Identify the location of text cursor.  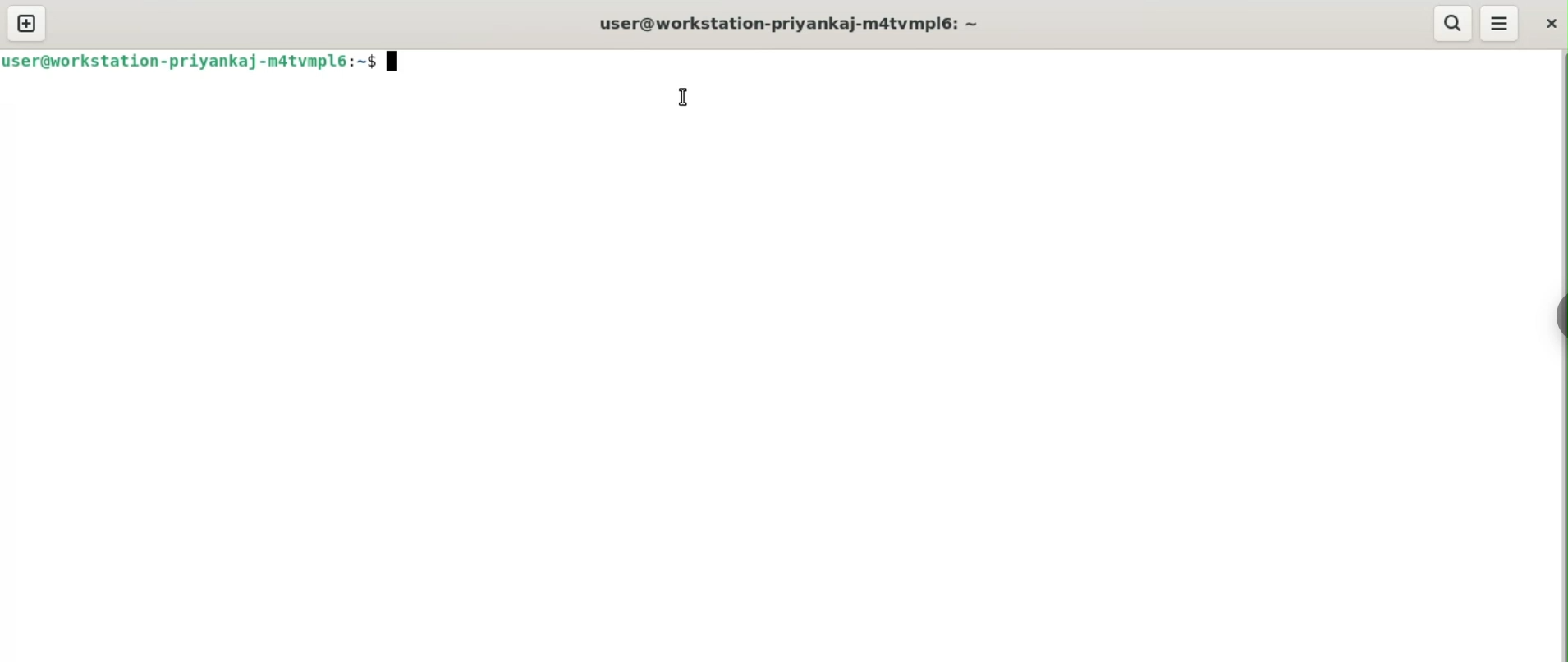
(681, 98).